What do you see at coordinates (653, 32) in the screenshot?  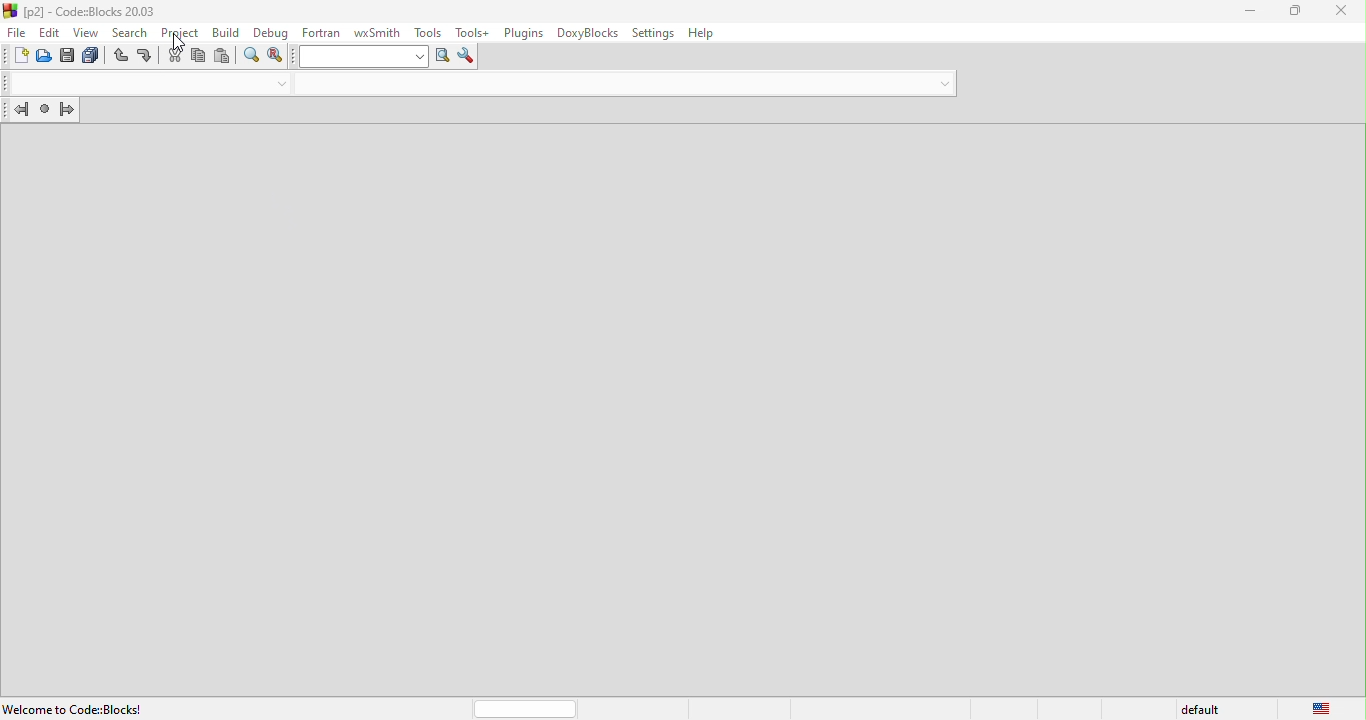 I see `settings` at bounding box center [653, 32].